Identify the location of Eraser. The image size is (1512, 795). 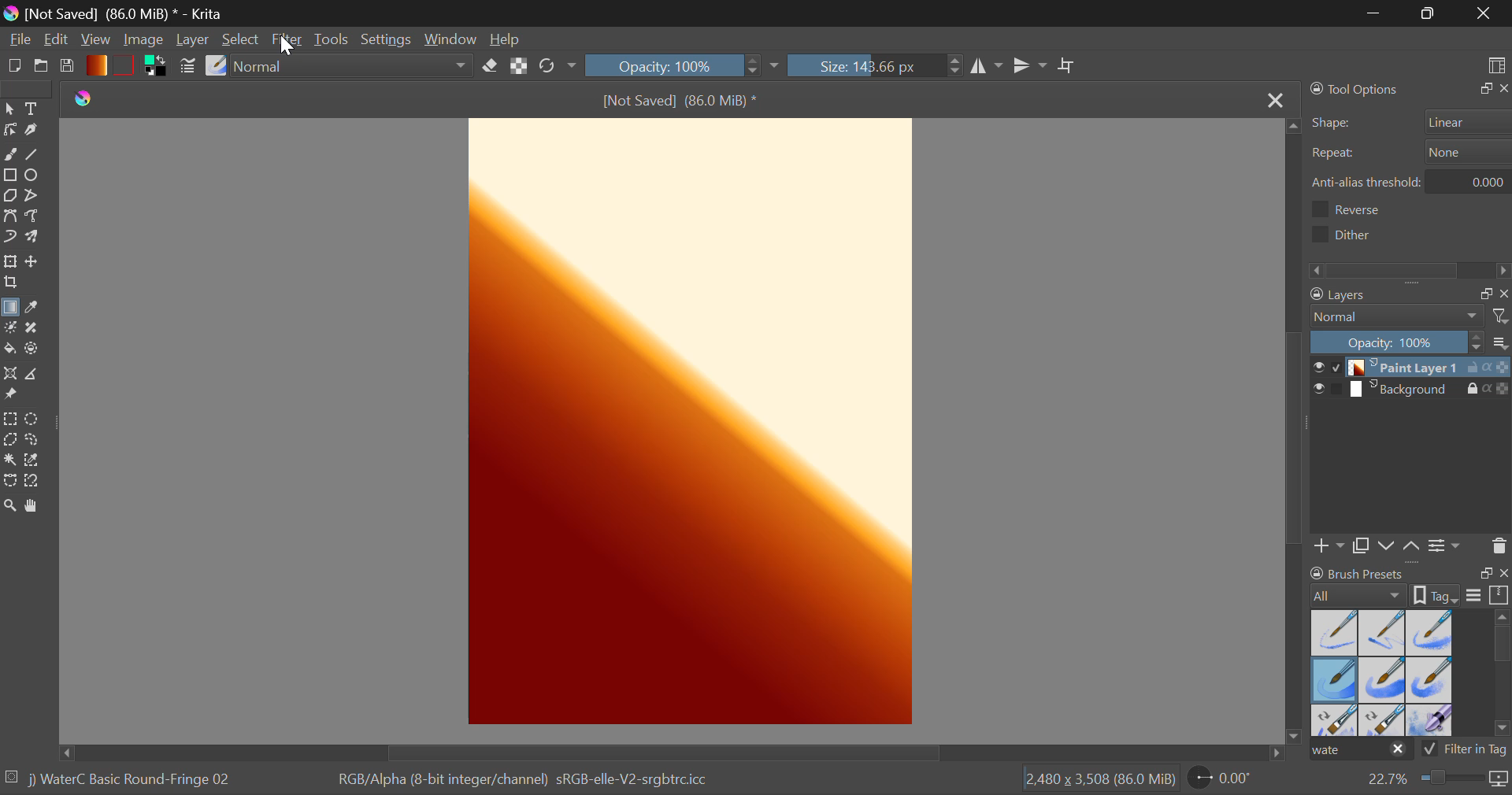
(492, 64).